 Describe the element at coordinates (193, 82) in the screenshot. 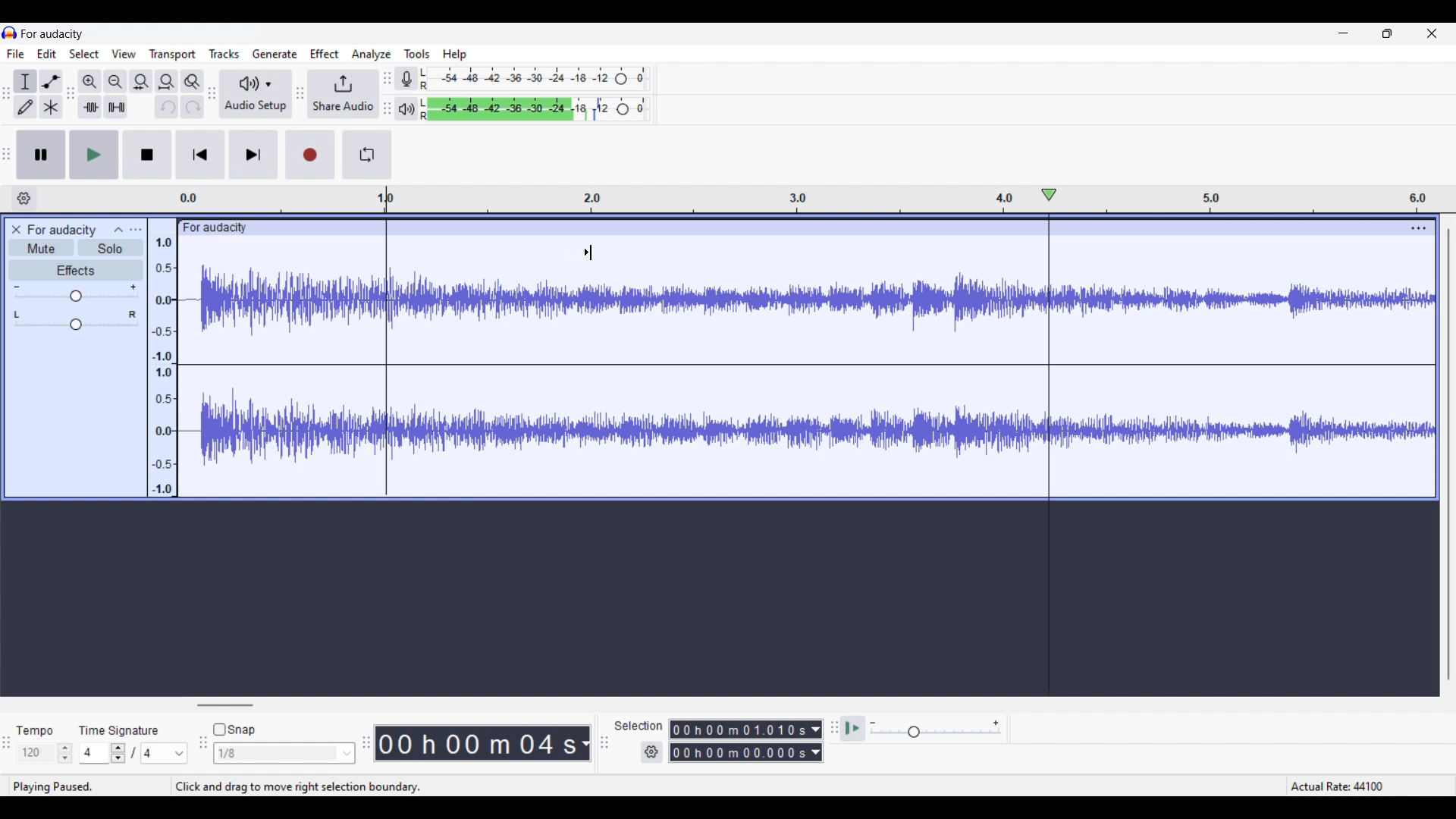

I see `Zoom toggle` at that location.